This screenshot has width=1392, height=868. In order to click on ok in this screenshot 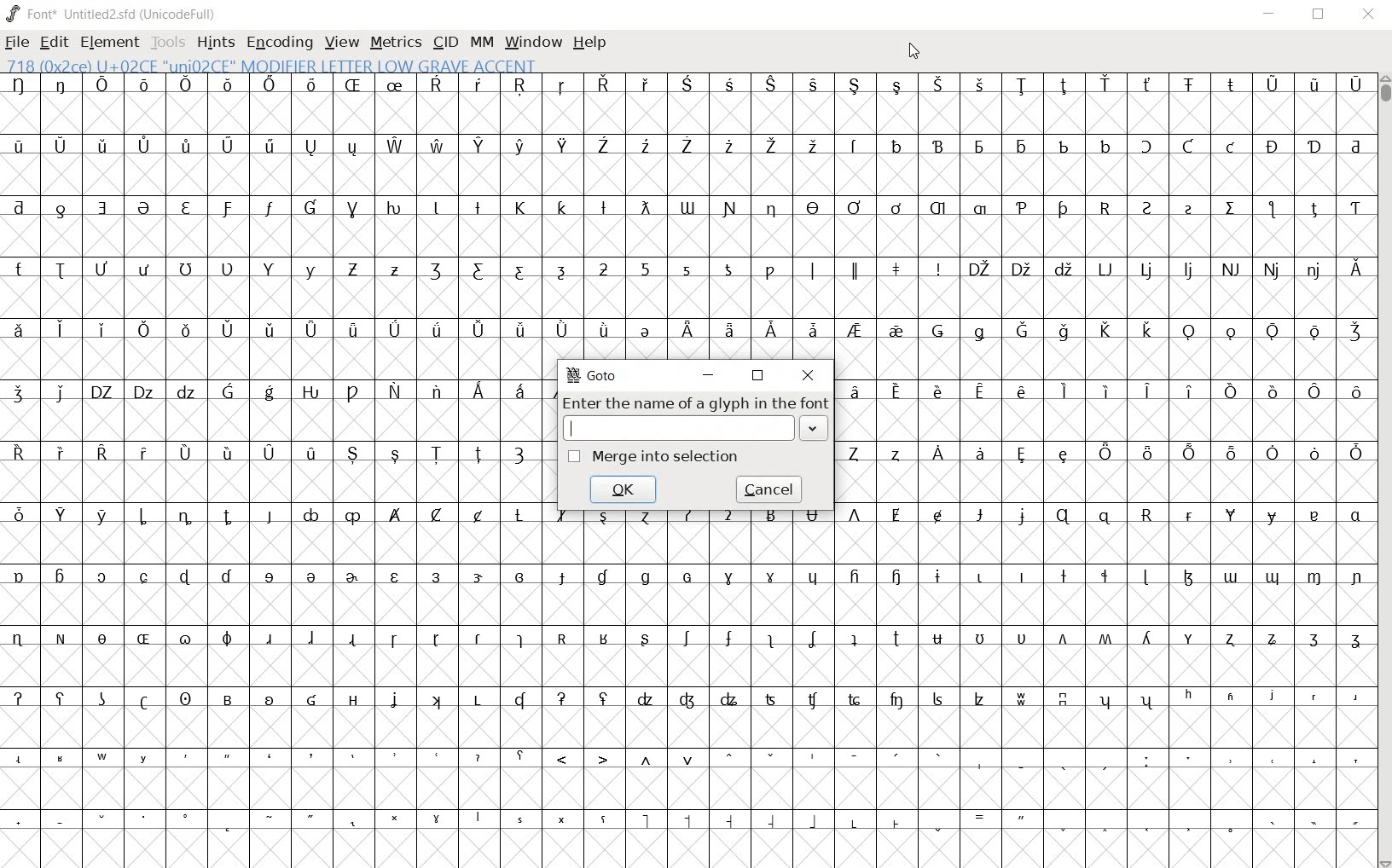, I will do `click(624, 488)`.